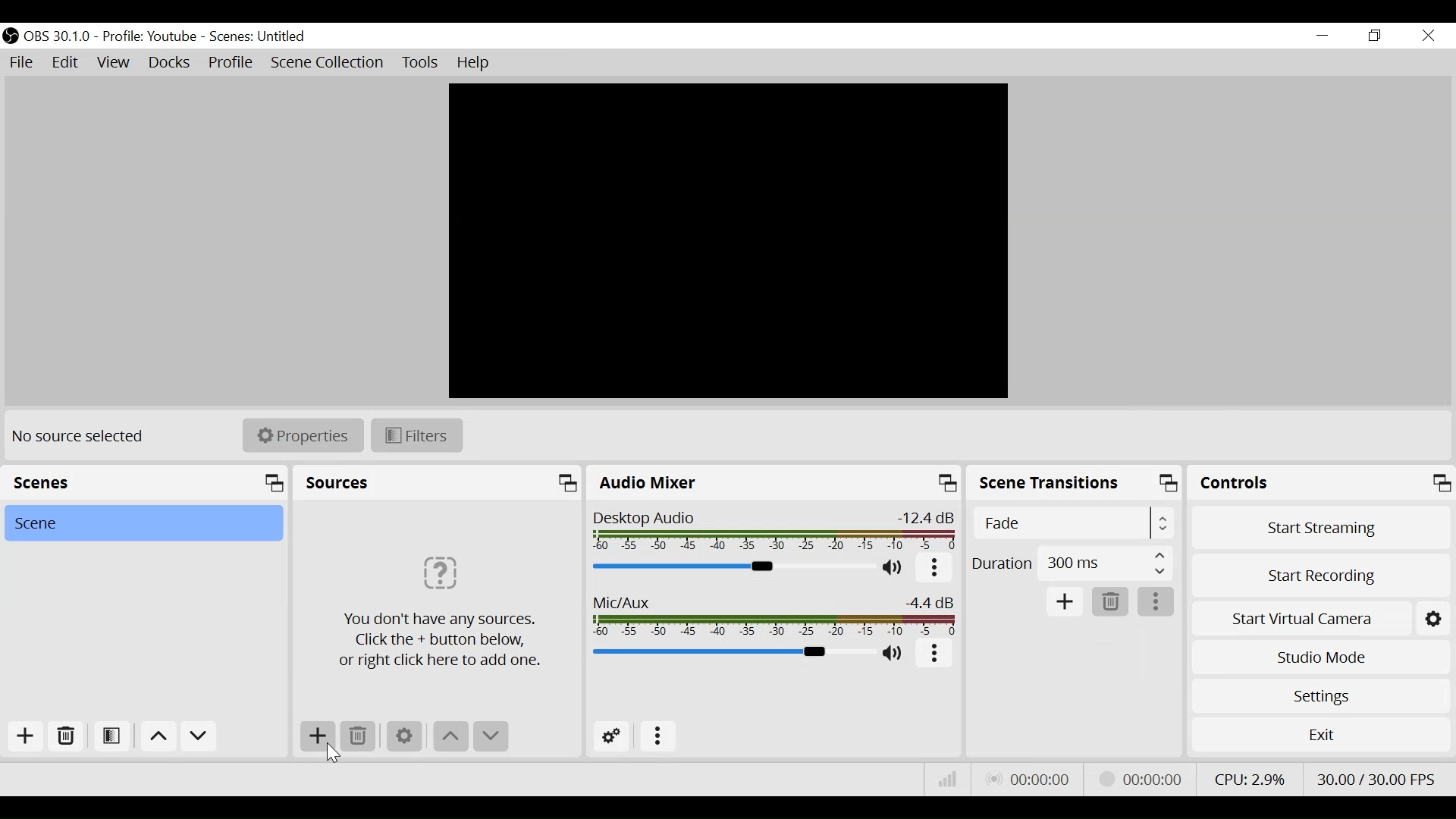 This screenshot has width=1456, height=819. Describe the element at coordinates (731, 652) in the screenshot. I see `Mic Slider` at that location.